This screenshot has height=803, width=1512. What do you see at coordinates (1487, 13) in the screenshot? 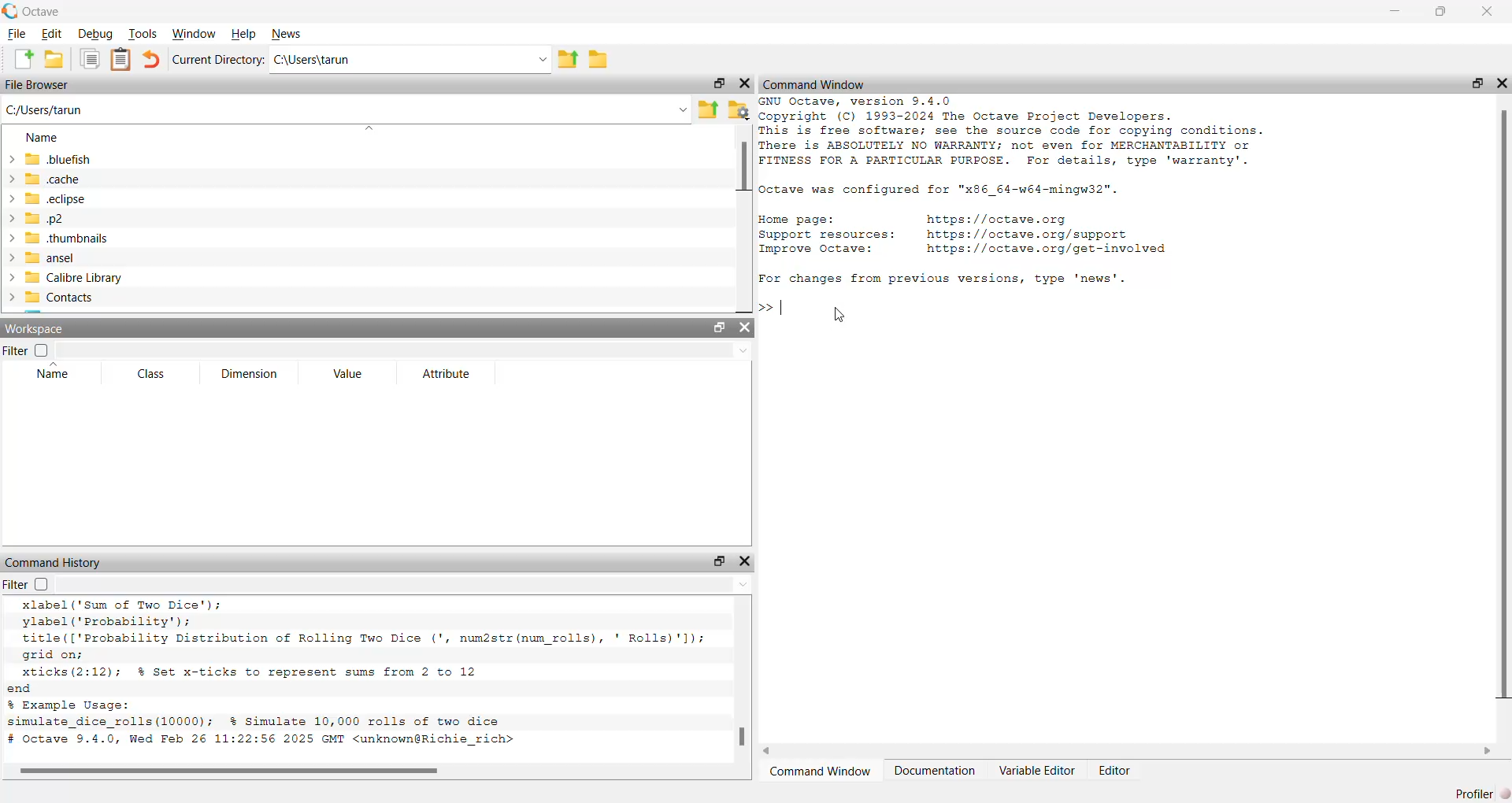
I see `Close` at bounding box center [1487, 13].